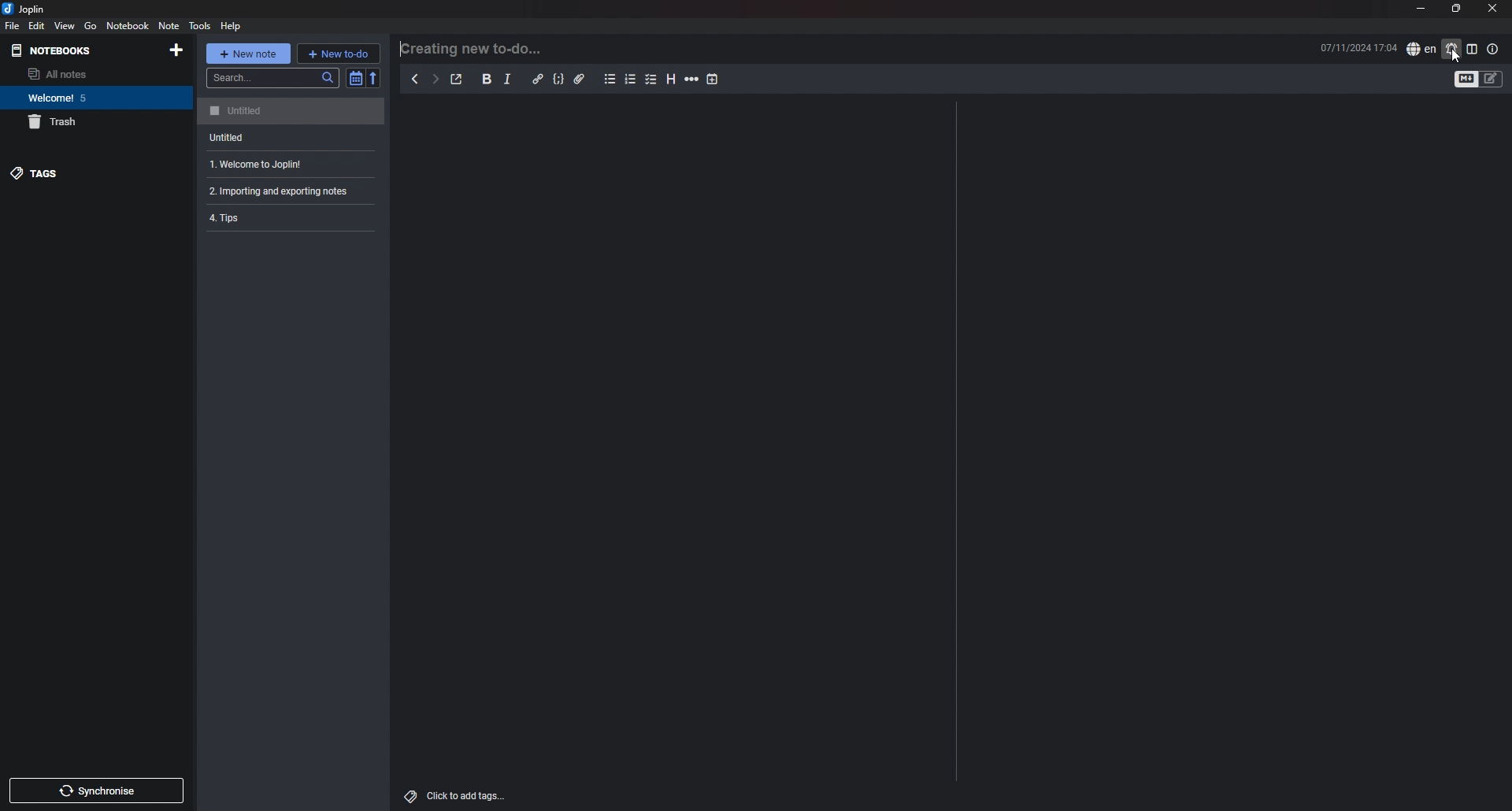  What do you see at coordinates (415, 79) in the screenshot?
I see `back` at bounding box center [415, 79].